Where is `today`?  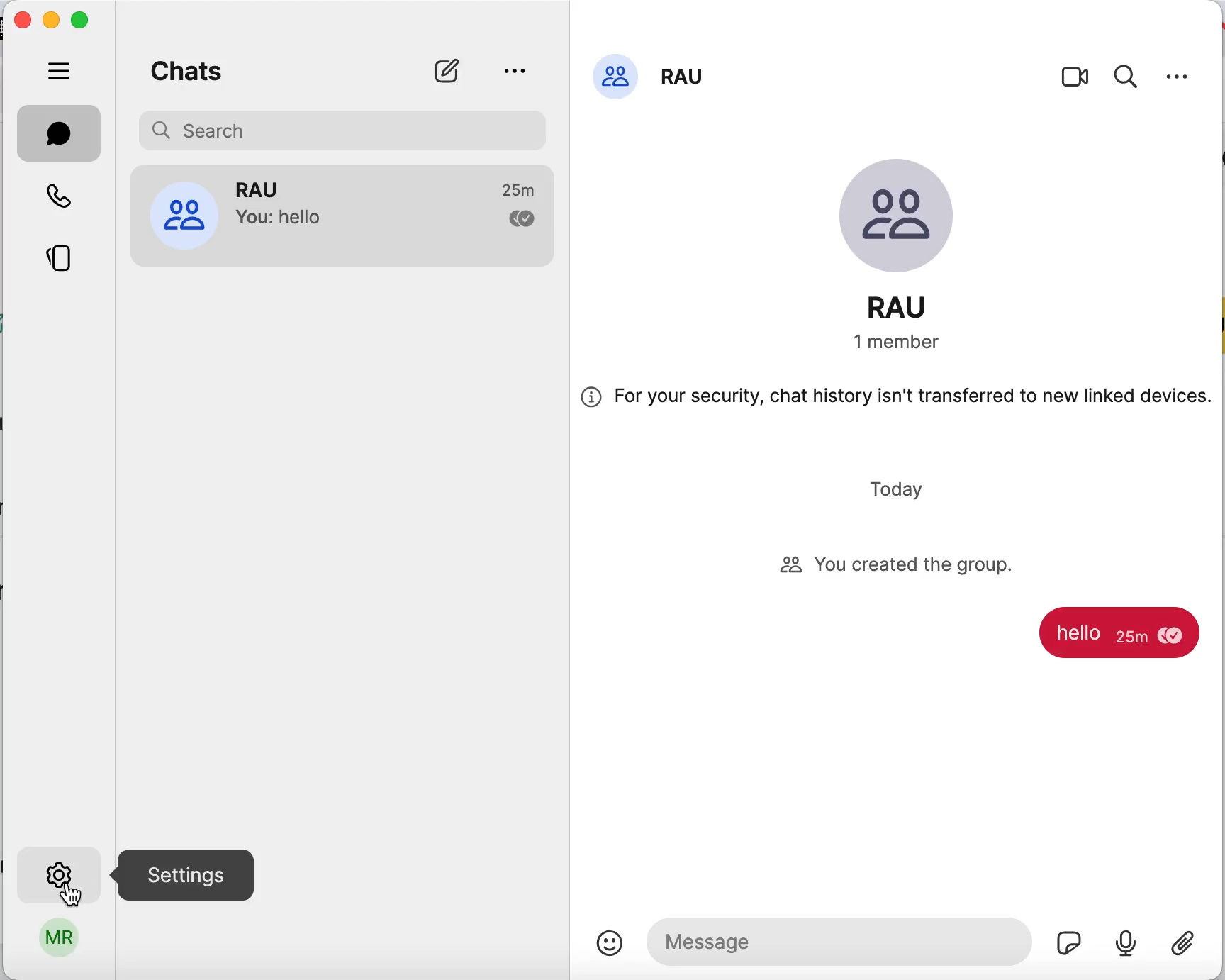 today is located at coordinates (903, 493).